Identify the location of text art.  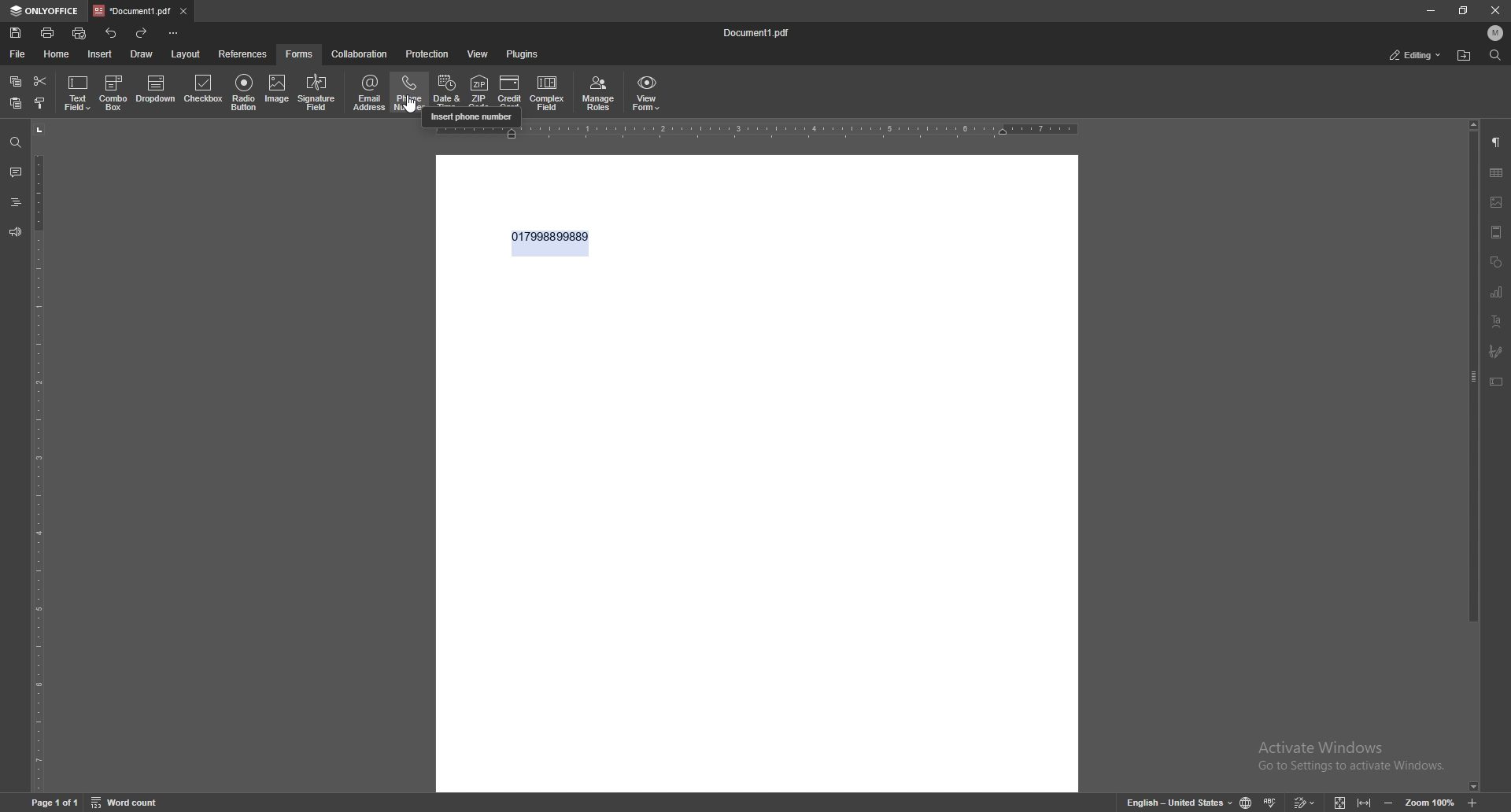
(1496, 322).